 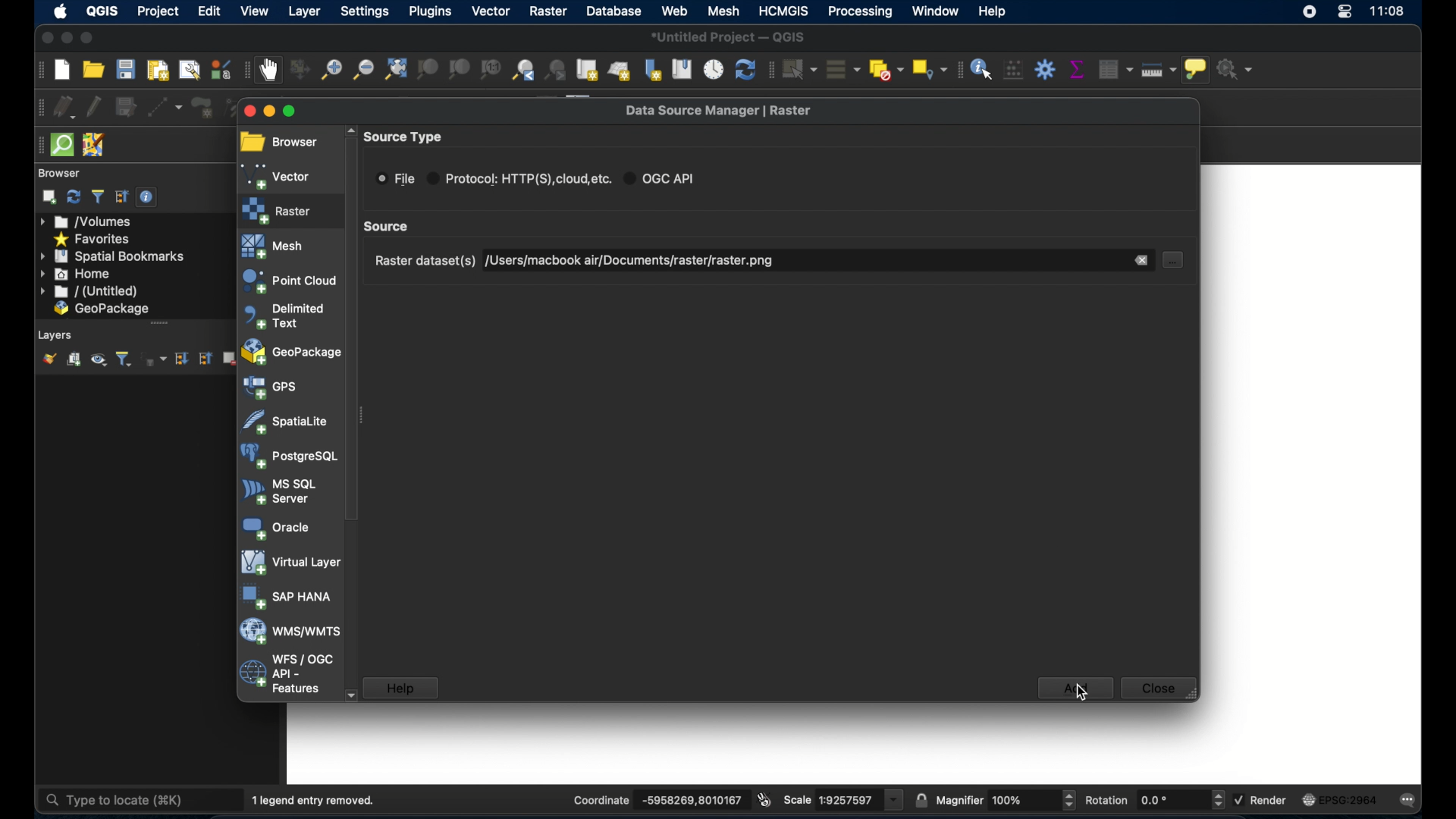 I want to click on spatiallite, so click(x=284, y=422).